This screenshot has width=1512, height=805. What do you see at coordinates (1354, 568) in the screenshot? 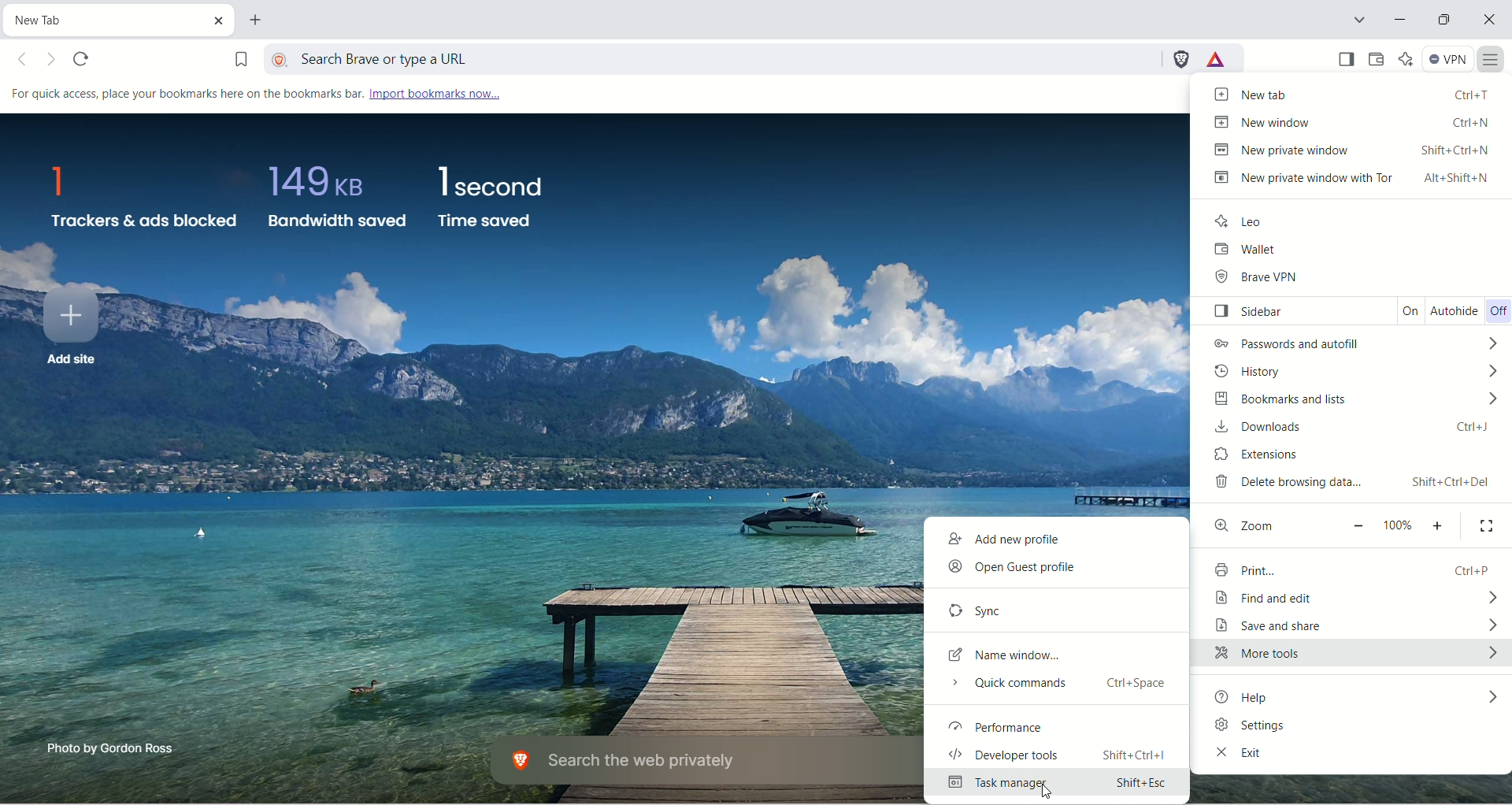
I see `print` at bounding box center [1354, 568].